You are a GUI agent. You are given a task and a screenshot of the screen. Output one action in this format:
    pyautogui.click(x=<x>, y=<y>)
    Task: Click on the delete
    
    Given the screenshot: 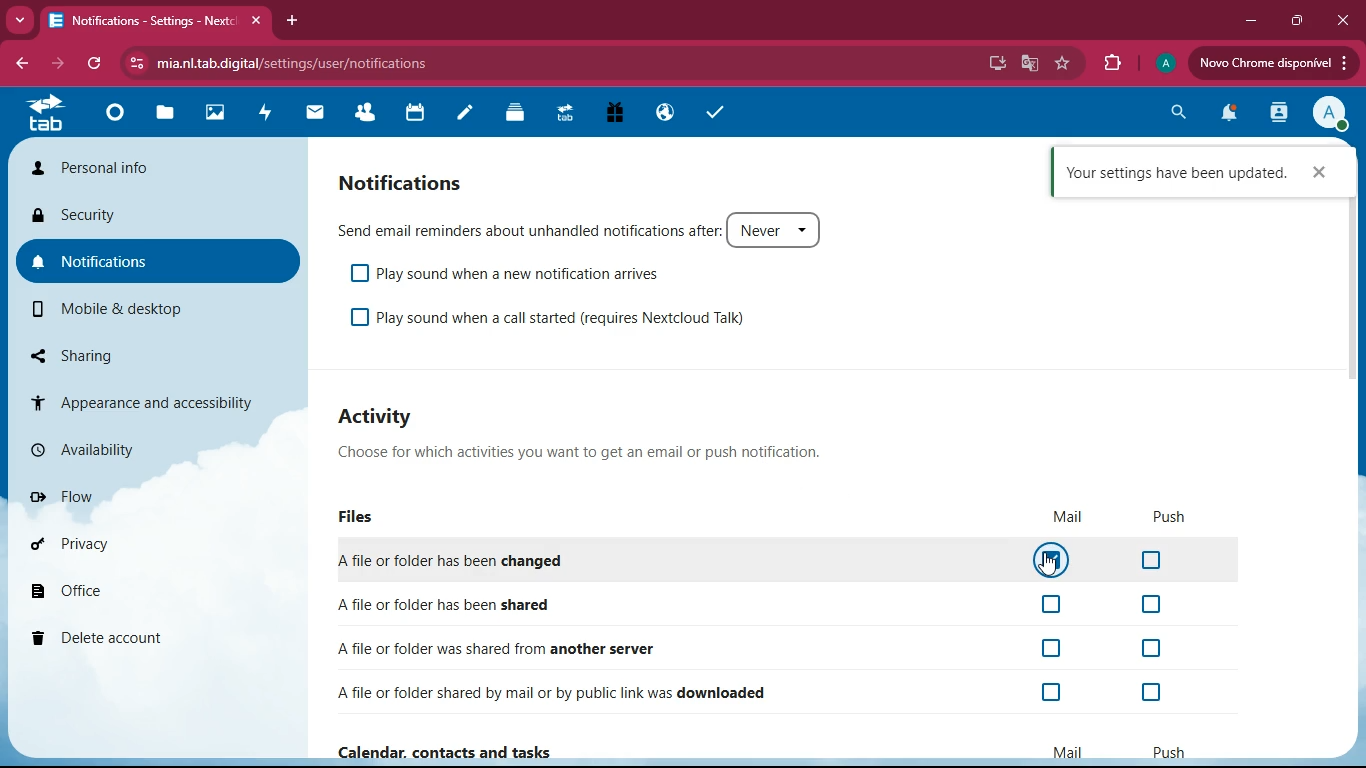 What is the action you would take?
    pyautogui.click(x=105, y=637)
    